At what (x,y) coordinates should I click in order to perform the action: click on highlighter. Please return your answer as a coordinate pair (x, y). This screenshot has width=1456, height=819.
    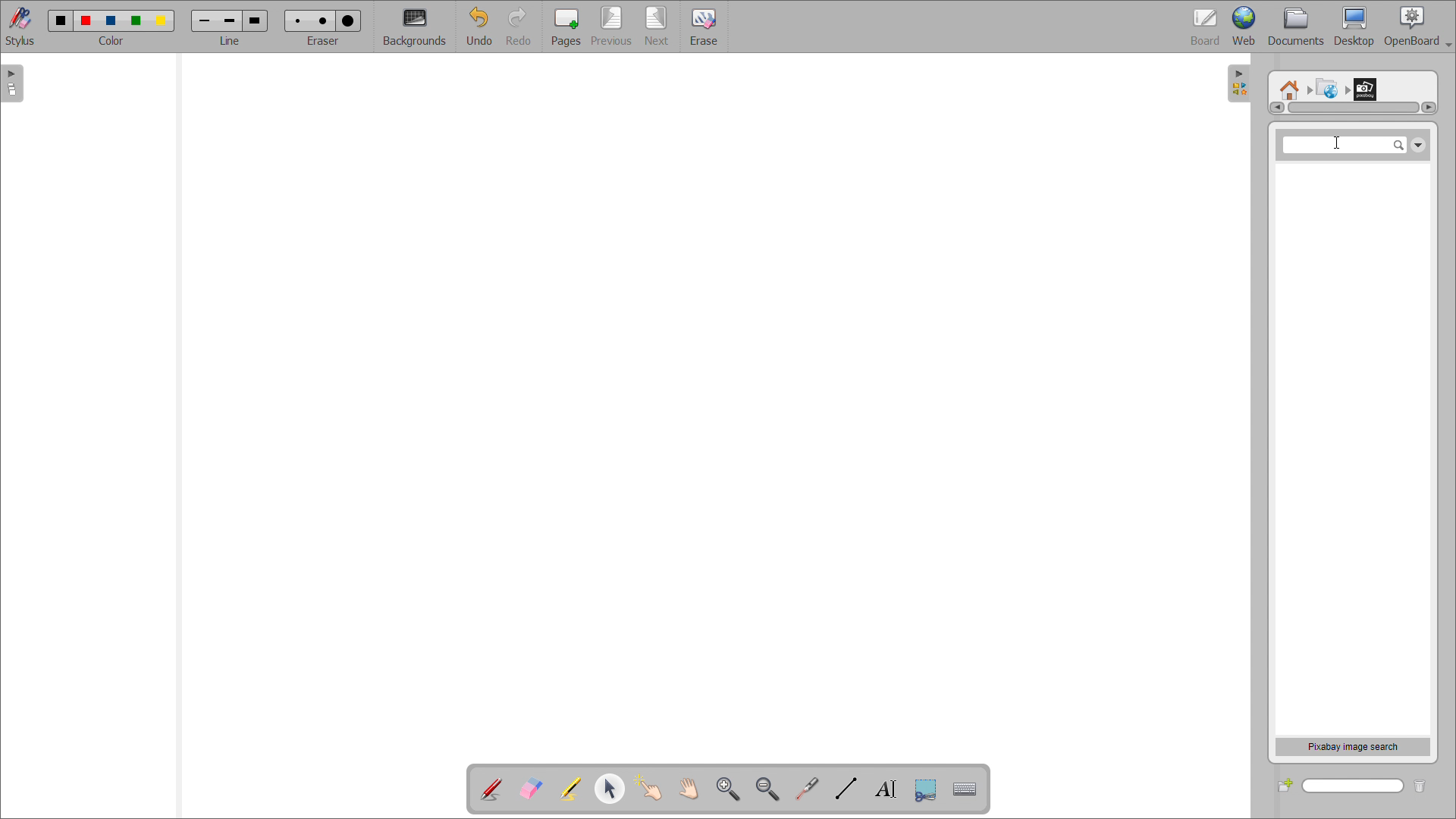
    Looking at the image, I should click on (570, 789).